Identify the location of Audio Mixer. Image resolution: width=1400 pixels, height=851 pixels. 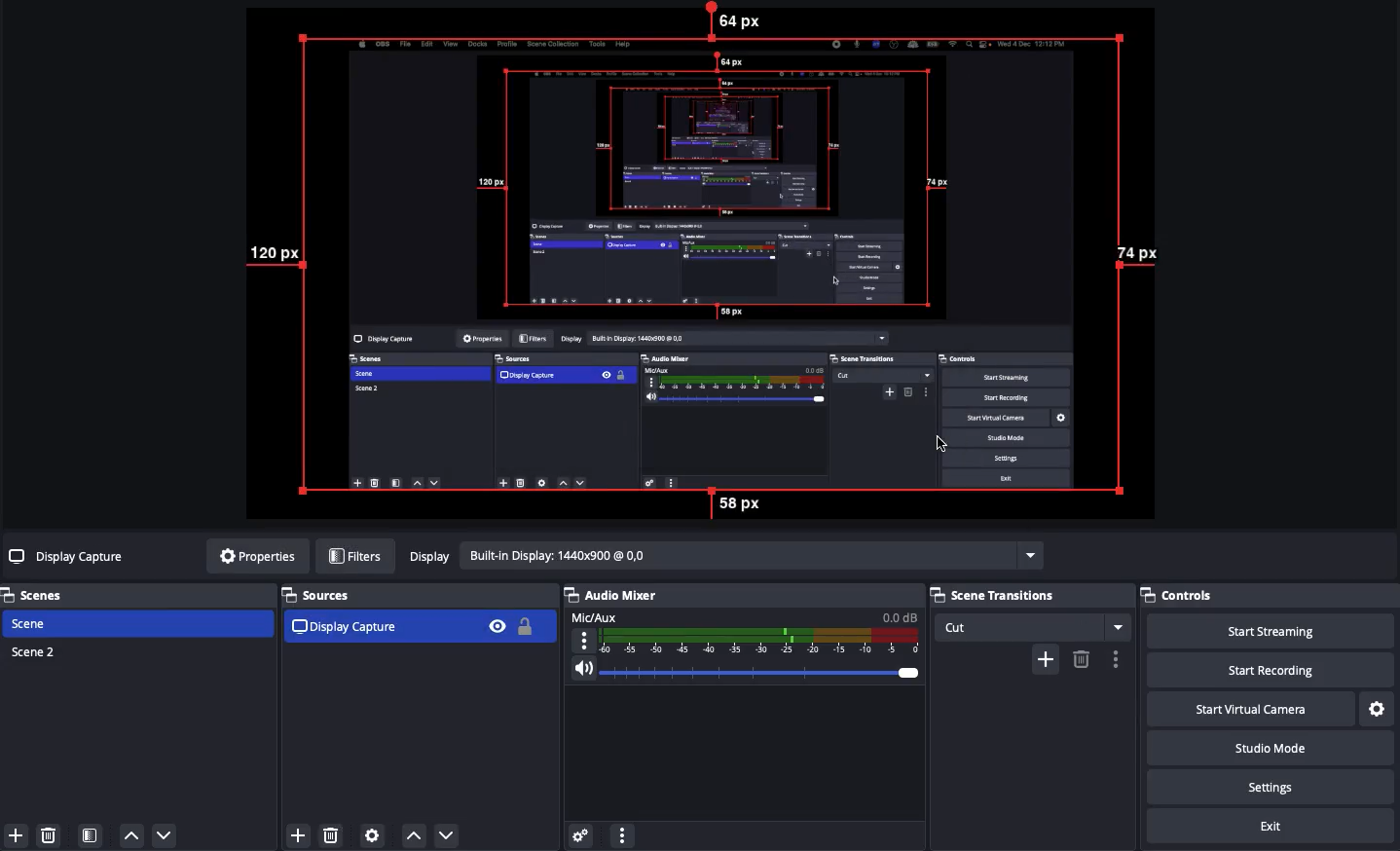
(744, 641).